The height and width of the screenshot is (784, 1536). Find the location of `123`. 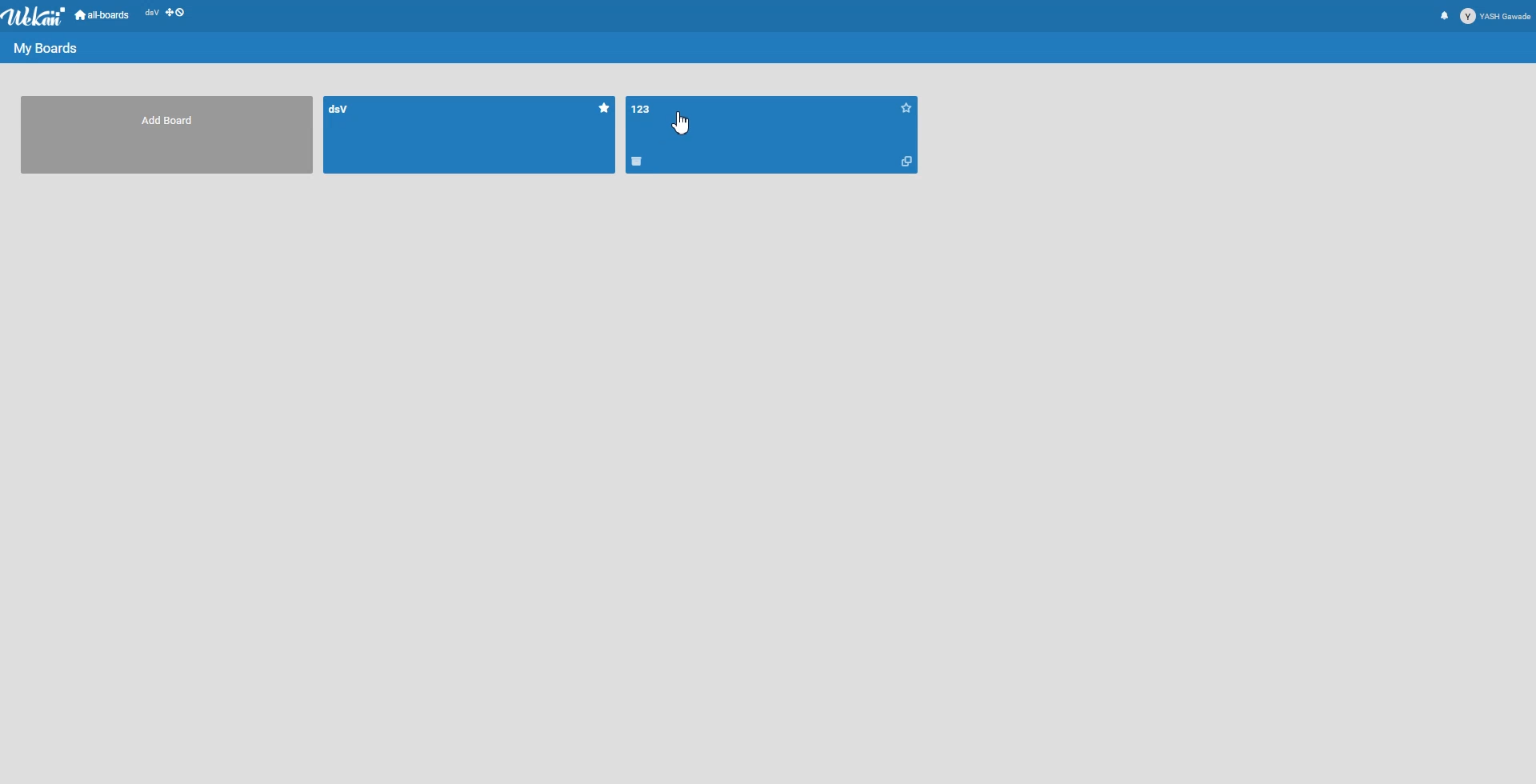

123 is located at coordinates (645, 106).